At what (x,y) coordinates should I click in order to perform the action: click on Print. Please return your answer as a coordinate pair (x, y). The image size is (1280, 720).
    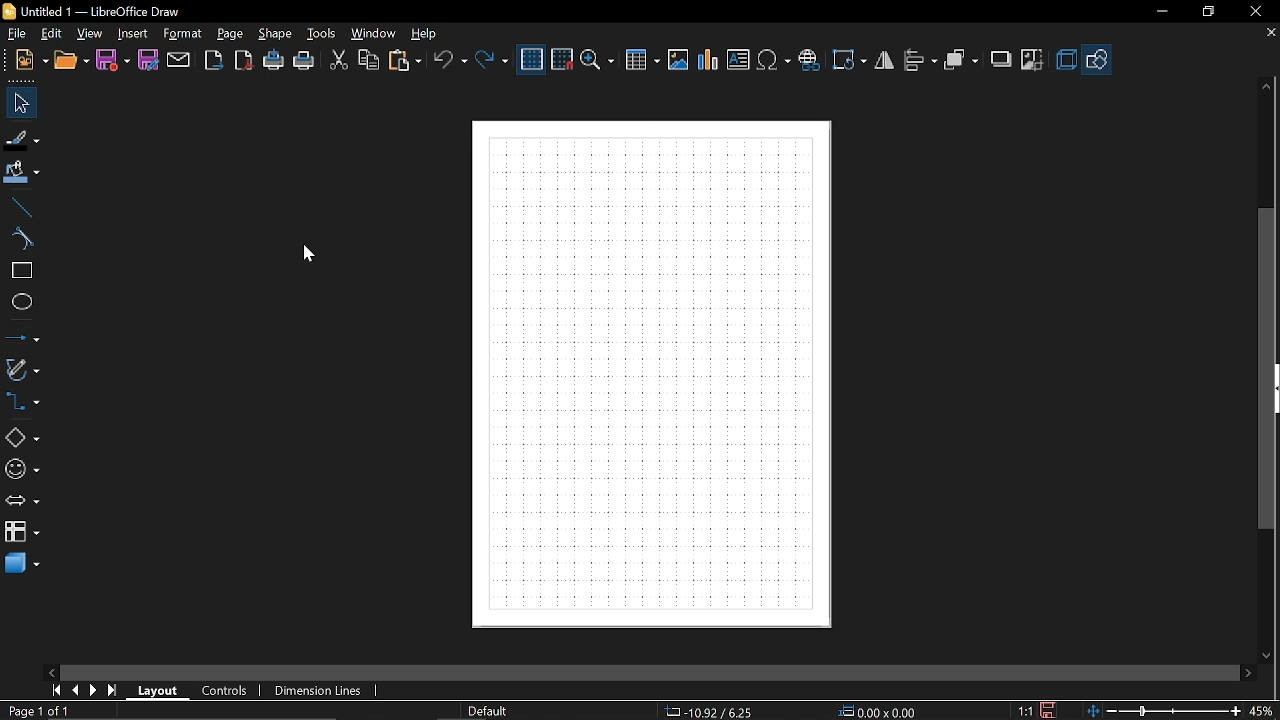
    Looking at the image, I should click on (304, 63).